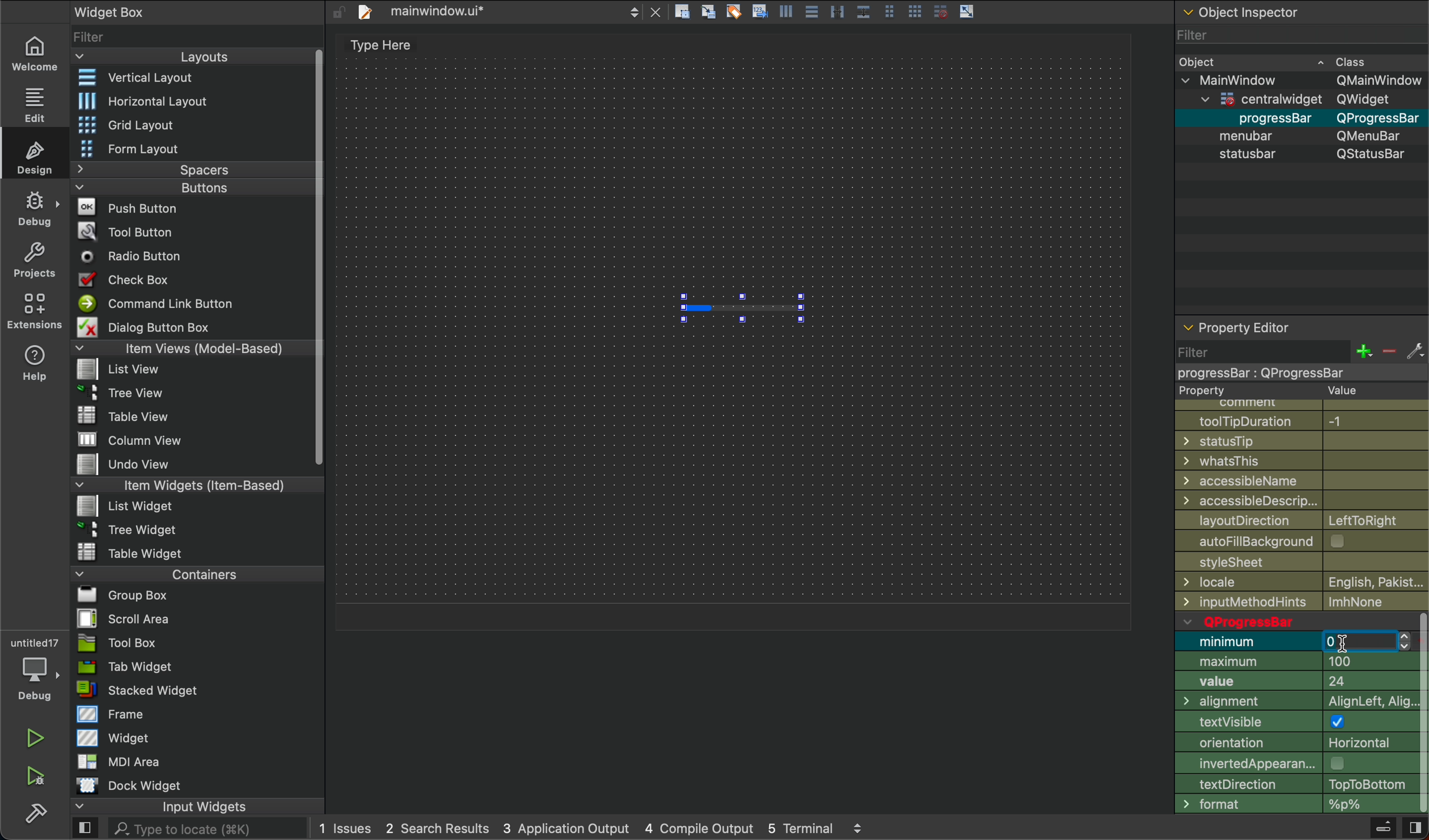 The image size is (1429, 840). What do you see at coordinates (1290, 404) in the screenshot?
I see `Comment` at bounding box center [1290, 404].